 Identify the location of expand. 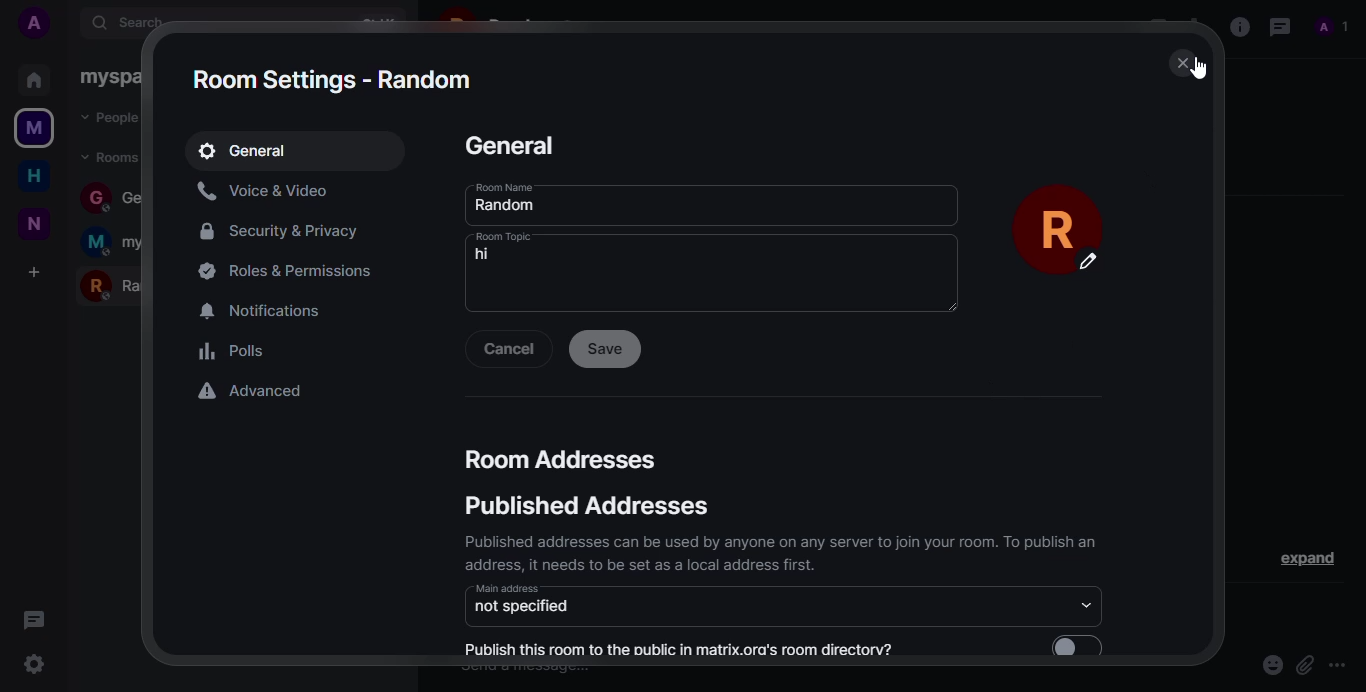
(1306, 563).